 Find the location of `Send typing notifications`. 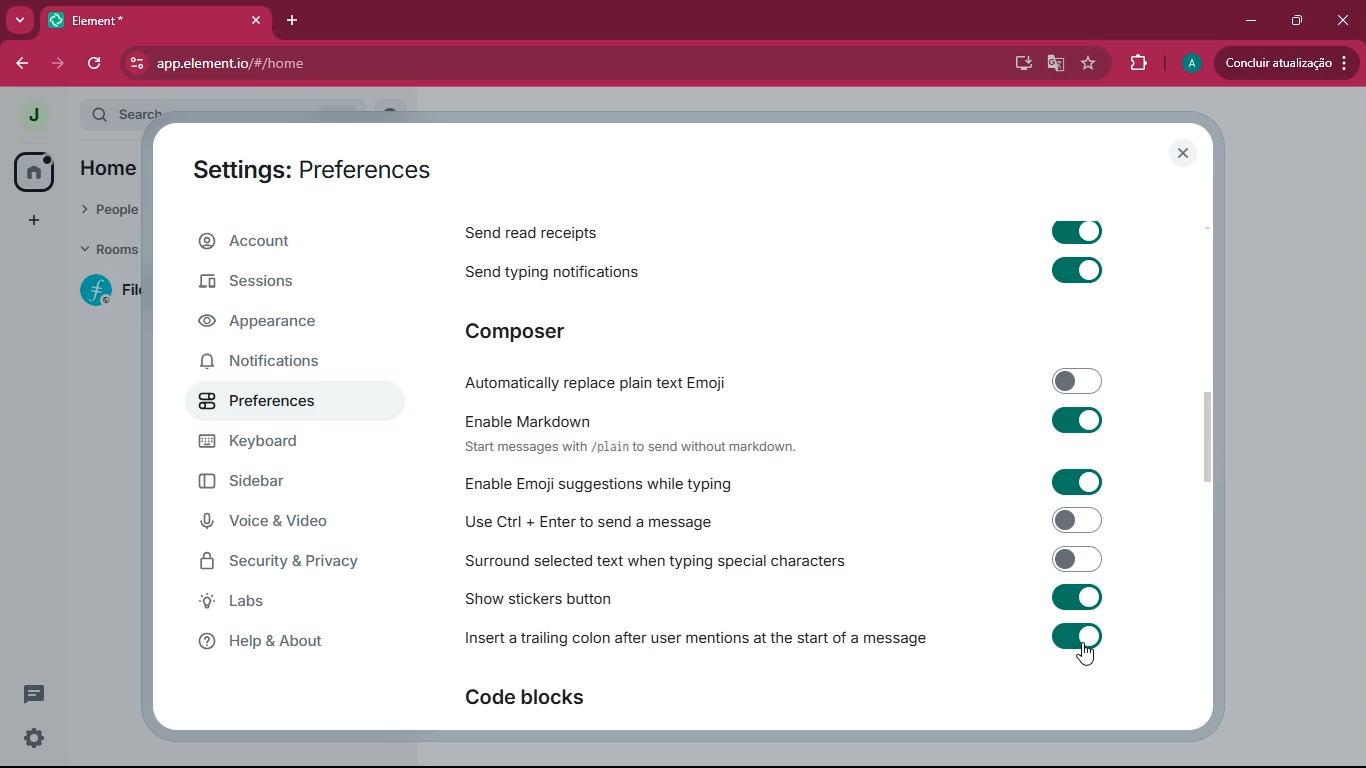

Send typing notifications is located at coordinates (794, 272).